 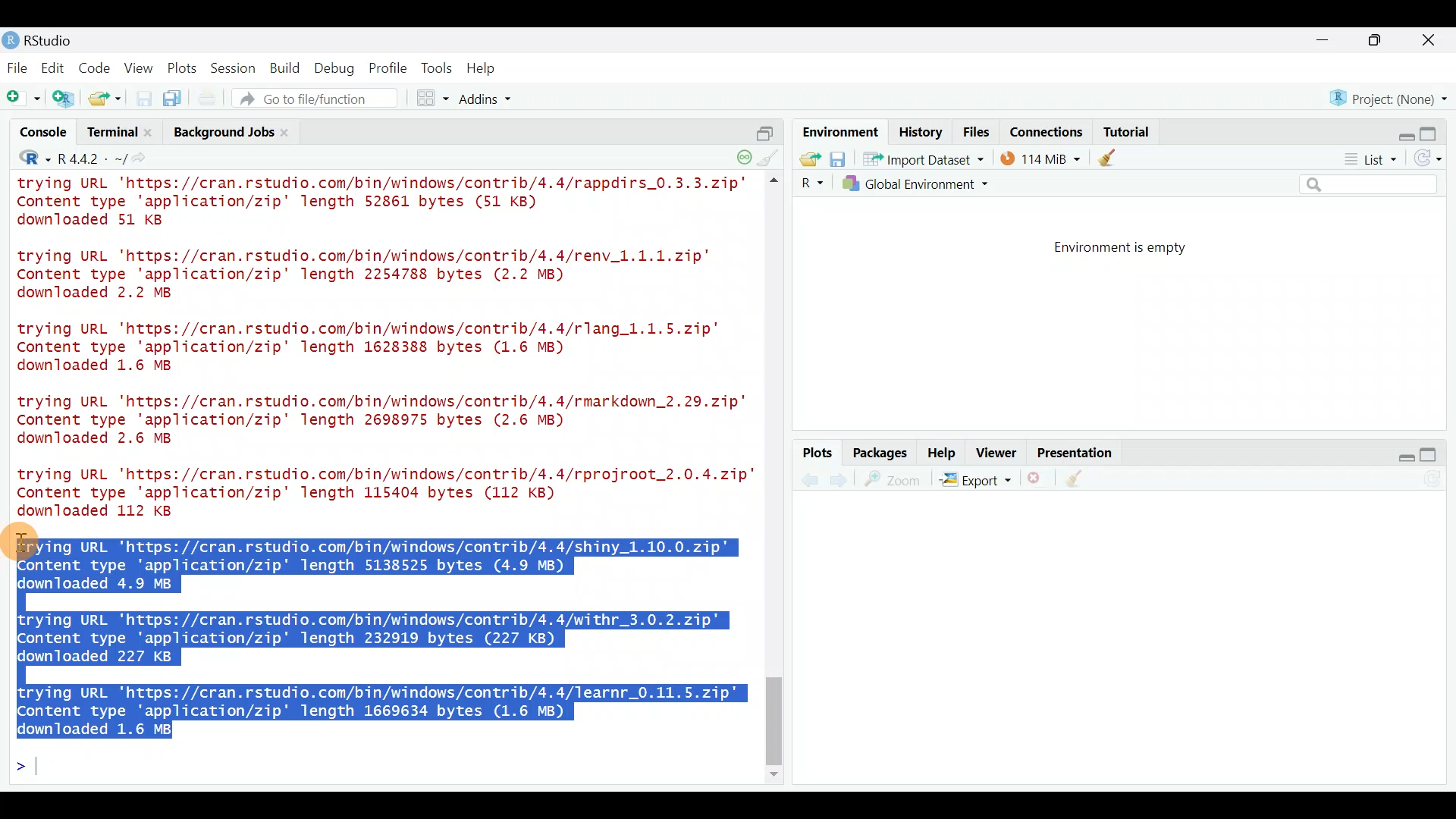 I want to click on 114 MIB, so click(x=1040, y=158).